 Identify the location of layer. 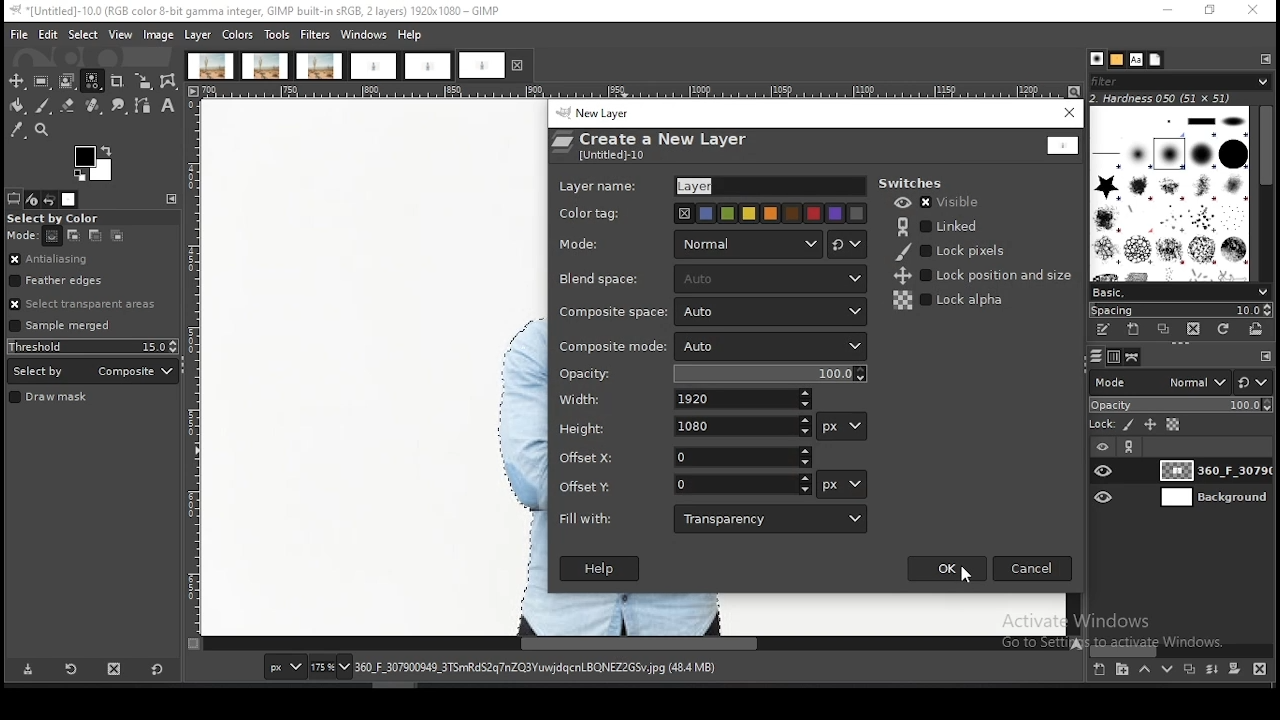
(198, 35).